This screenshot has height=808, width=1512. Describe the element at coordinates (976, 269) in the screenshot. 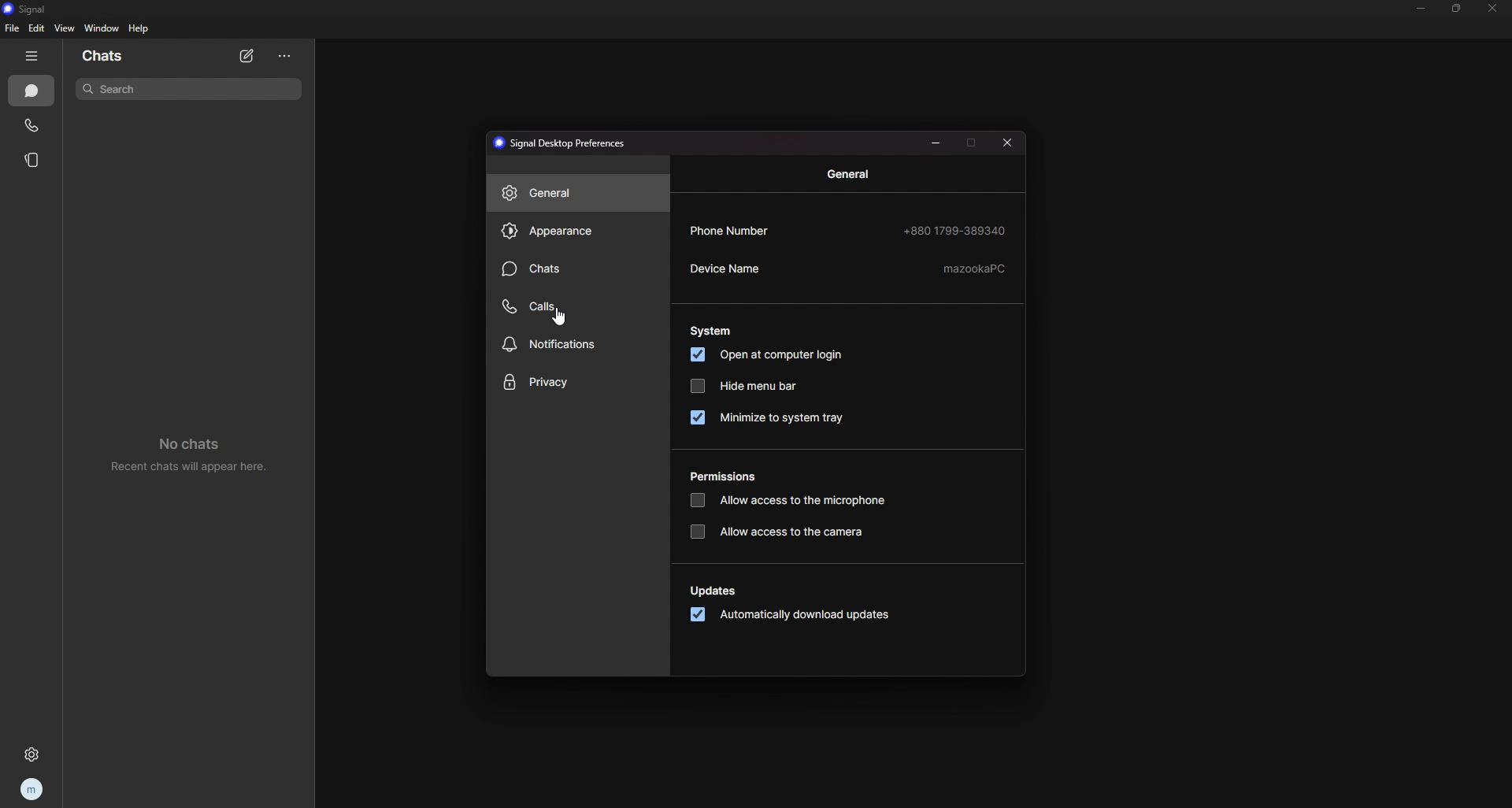

I see `mazookaPC` at that location.